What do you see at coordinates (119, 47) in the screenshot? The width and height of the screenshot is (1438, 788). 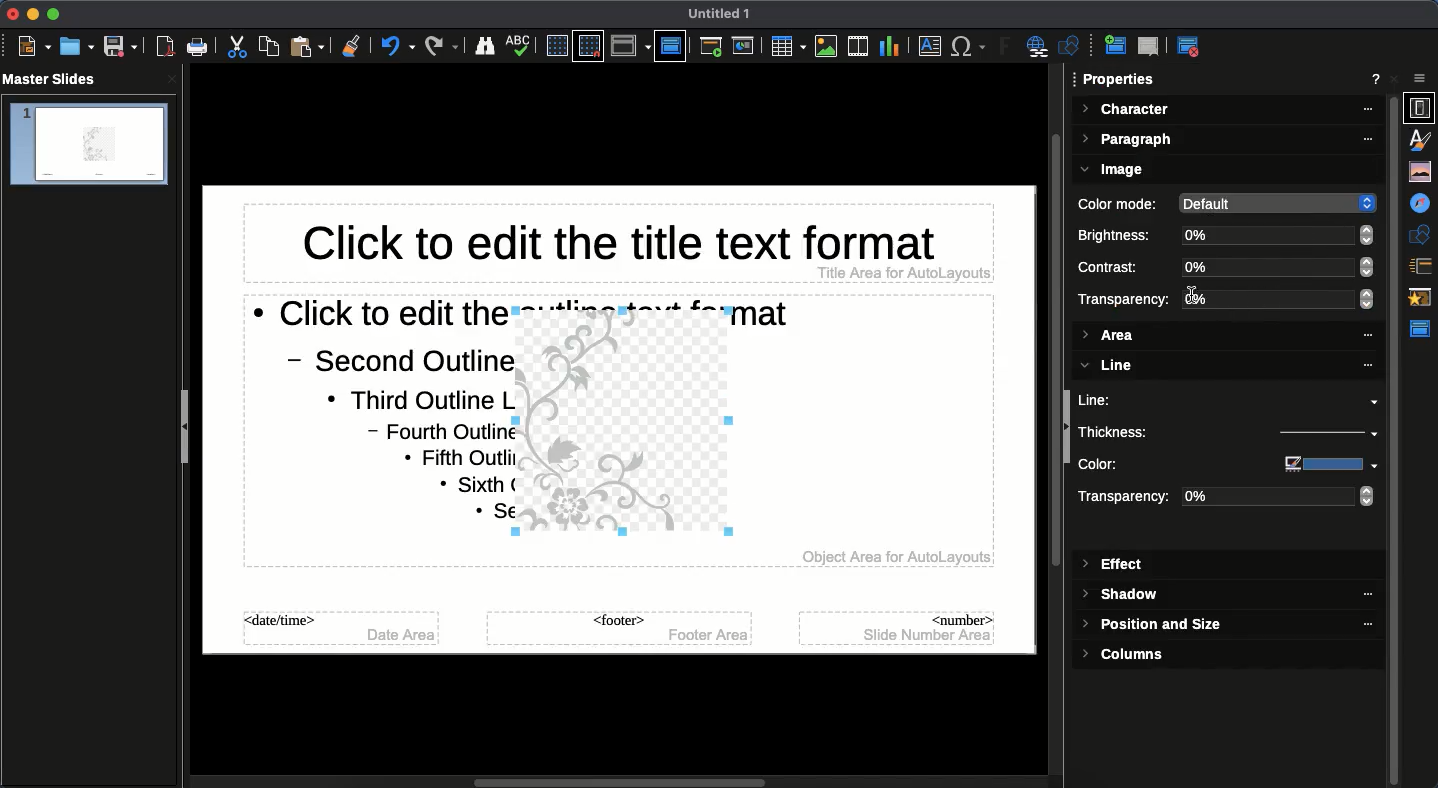 I see `Save` at bounding box center [119, 47].